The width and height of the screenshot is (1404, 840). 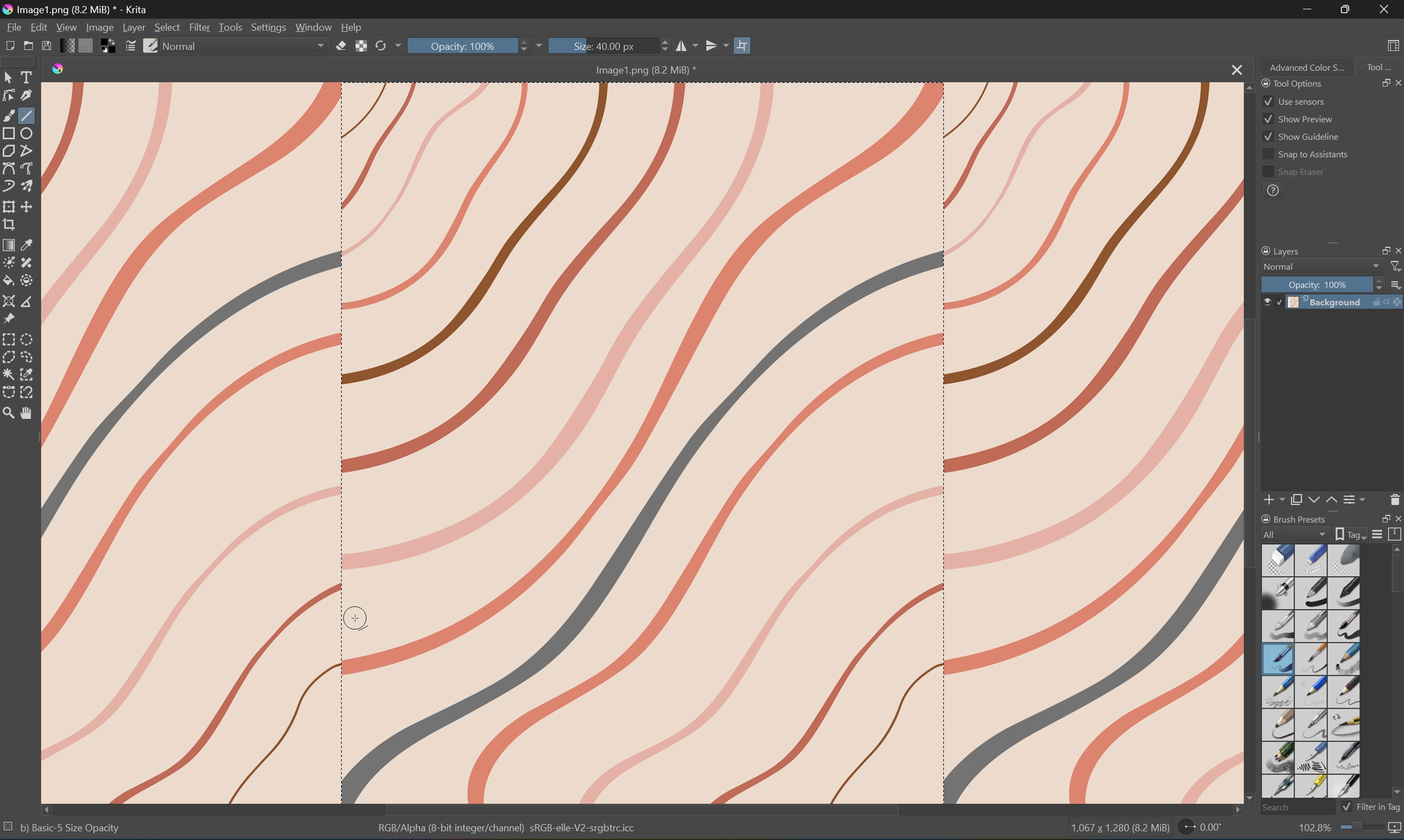 What do you see at coordinates (1290, 82) in the screenshot?
I see `Tool Options` at bounding box center [1290, 82].